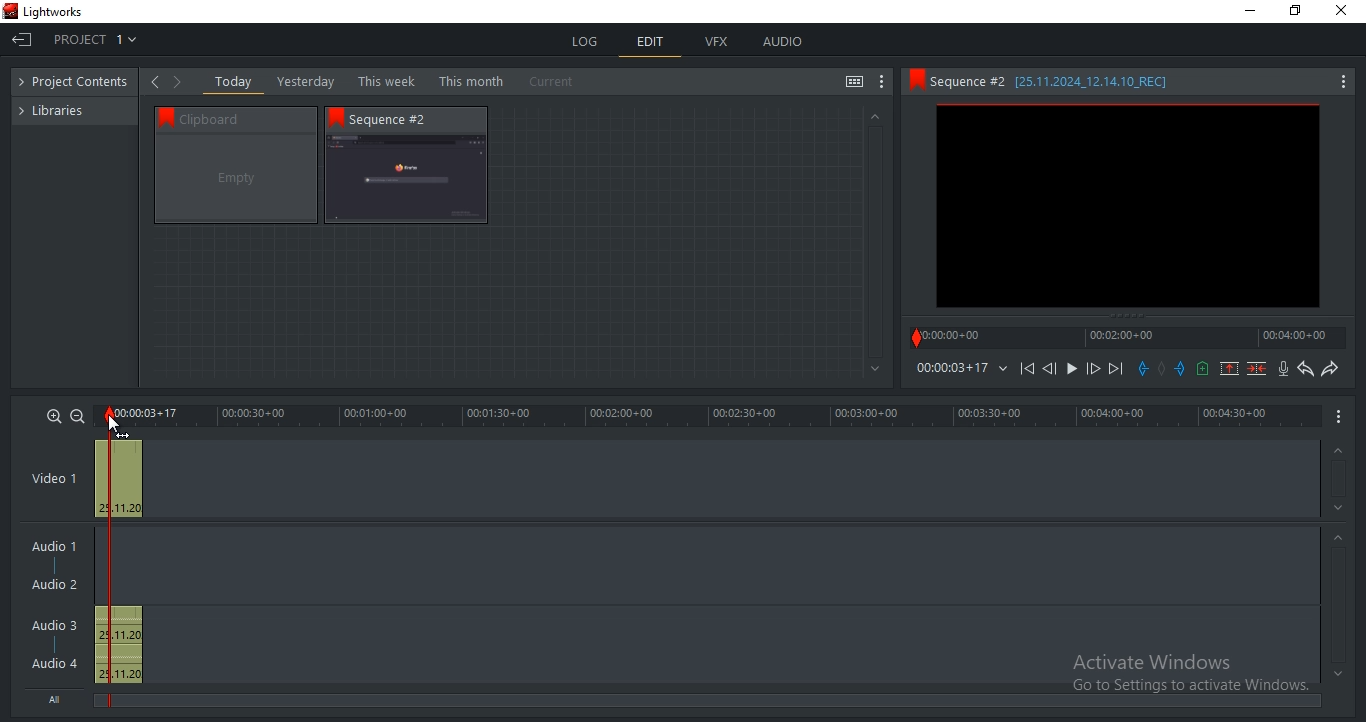  Describe the element at coordinates (154, 81) in the screenshot. I see `Show options to the left` at that location.